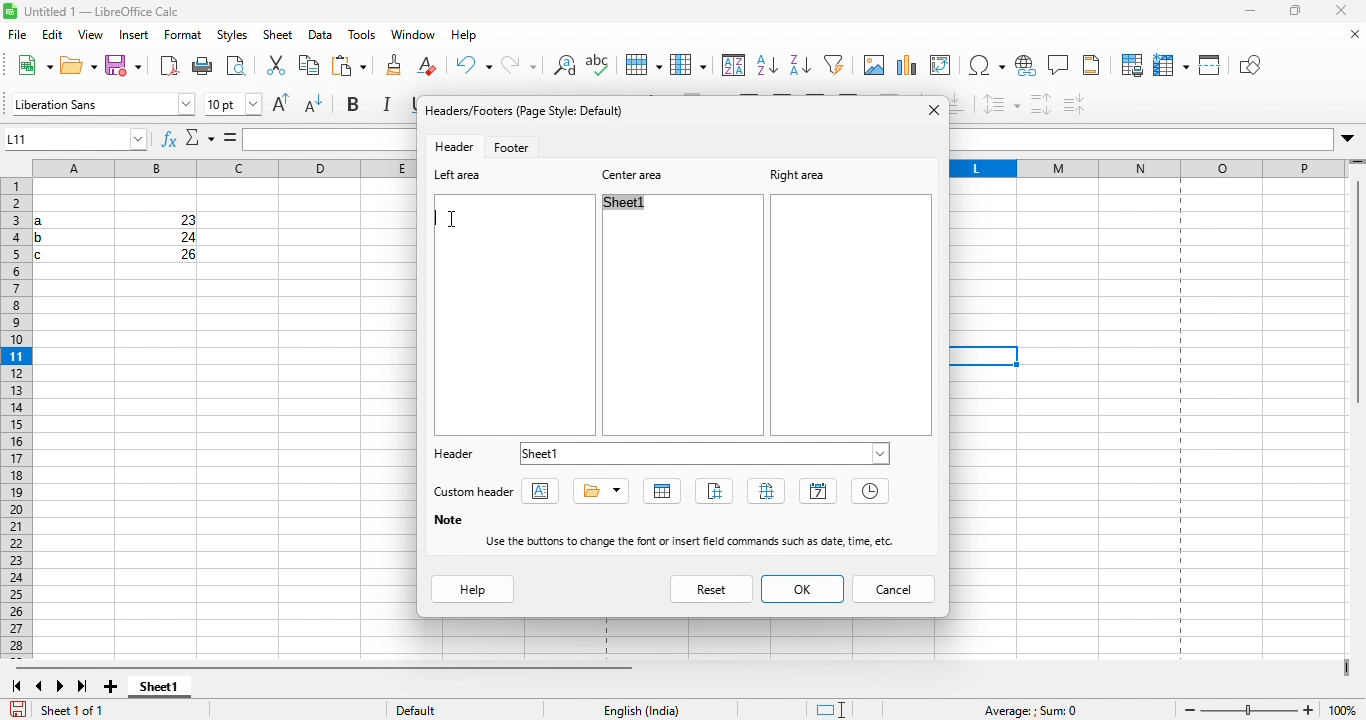 Image resolution: width=1366 pixels, height=720 pixels. What do you see at coordinates (409, 38) in the screenshot?
I see `window` at bounding box center [409, 38].